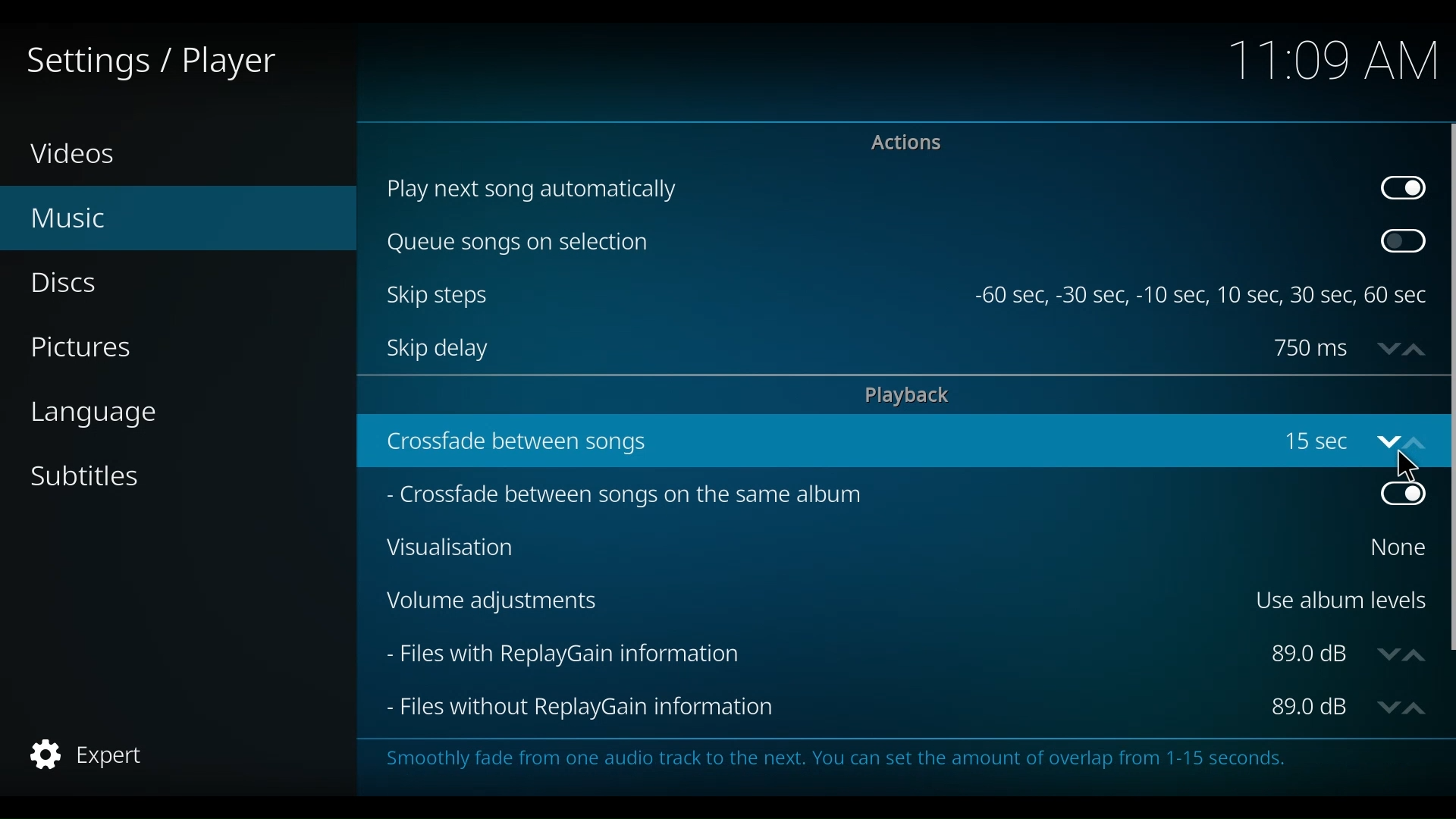 The height and width of the screenshot is (819, 1456). I want to click on Files without ReplayGain Information, so click(821, 708).